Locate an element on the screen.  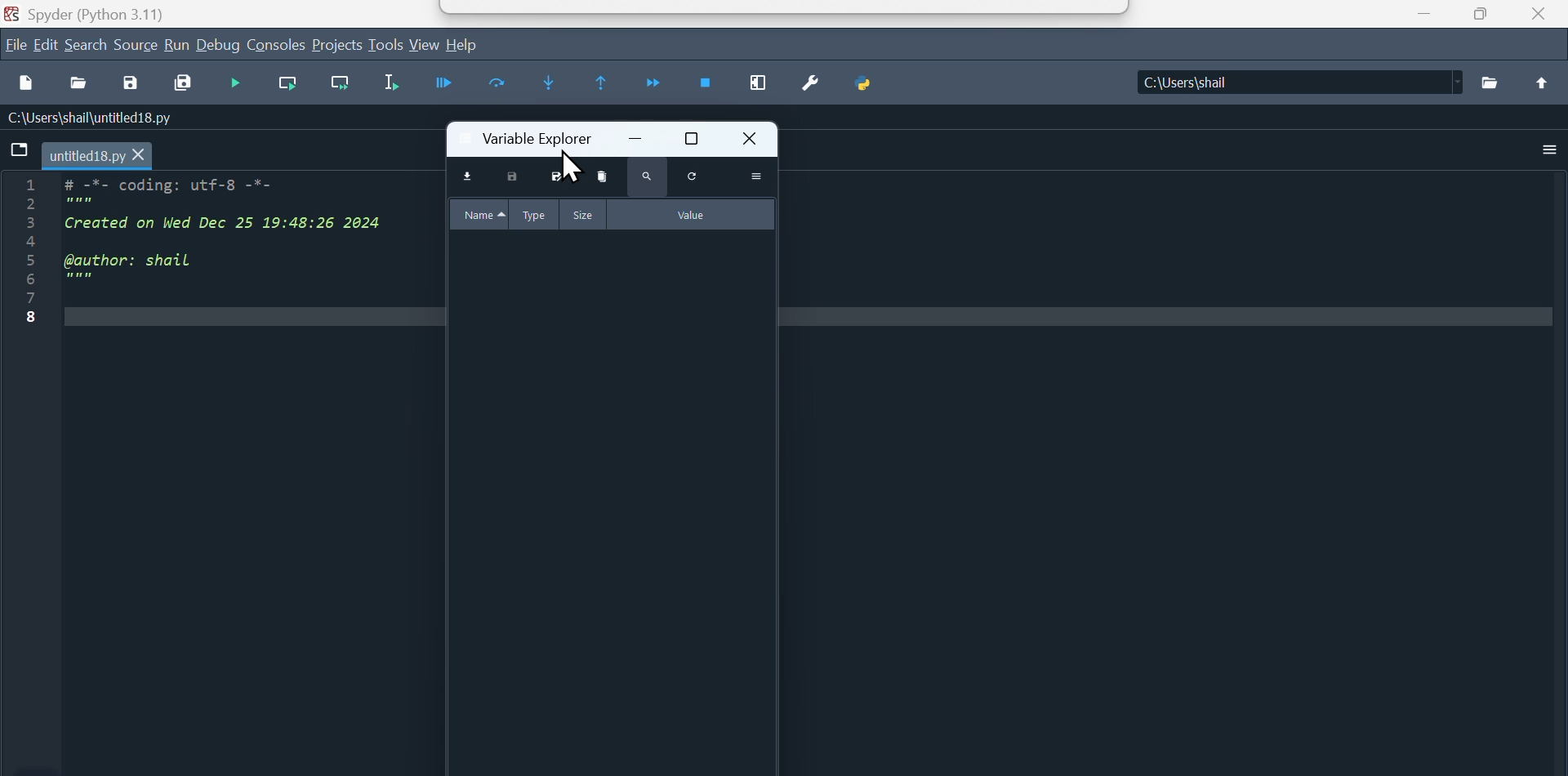
icon is located at coordinates (20, 154).